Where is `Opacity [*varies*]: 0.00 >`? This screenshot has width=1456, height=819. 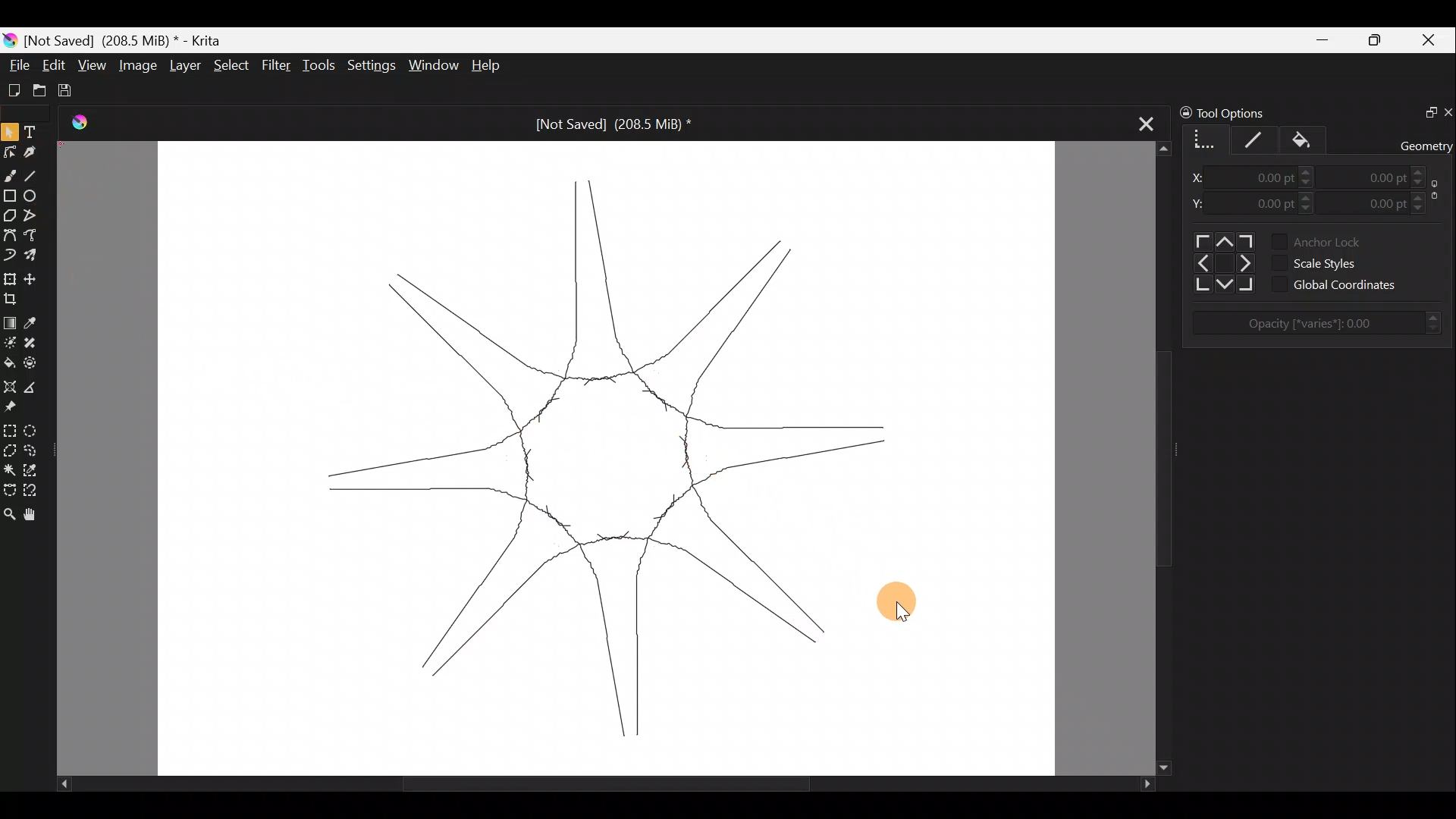
Opacity [*varies*]: 0.00 > is located at coordinates (1323, 323).